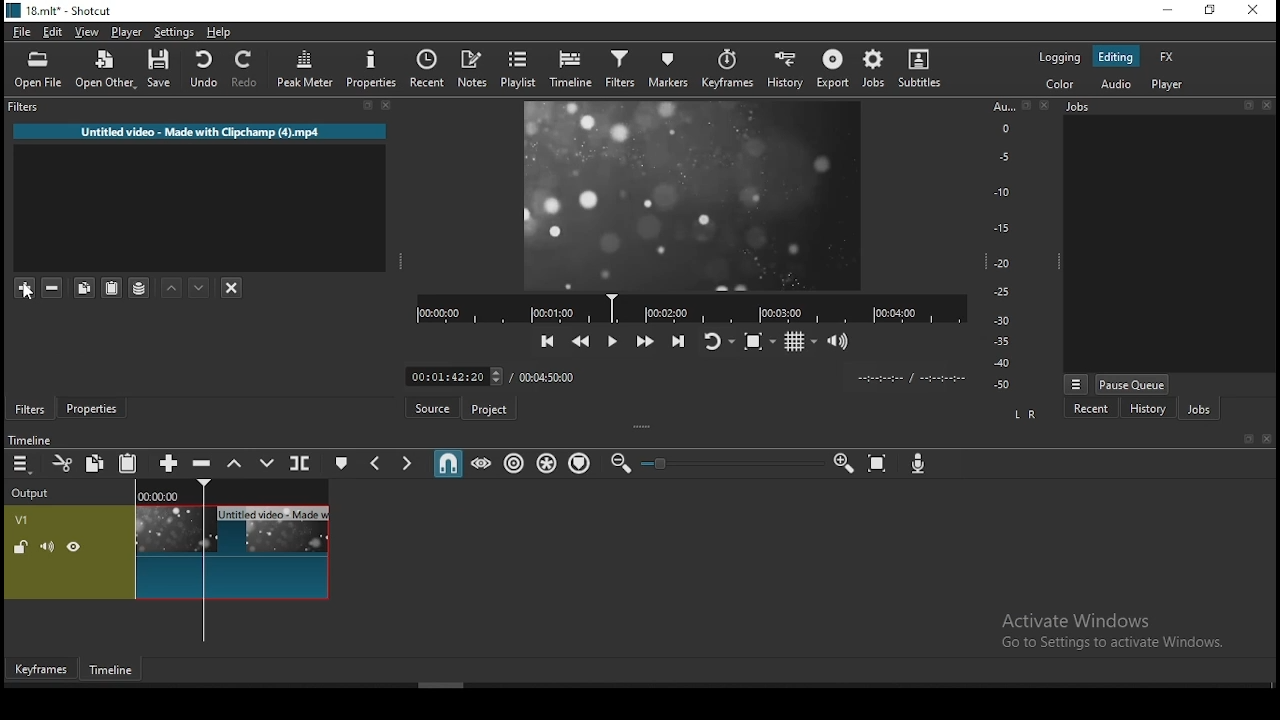  What do you see at coordinates (219, 33) in the screenshot?
I see `help` at bounding box center [219, 33].